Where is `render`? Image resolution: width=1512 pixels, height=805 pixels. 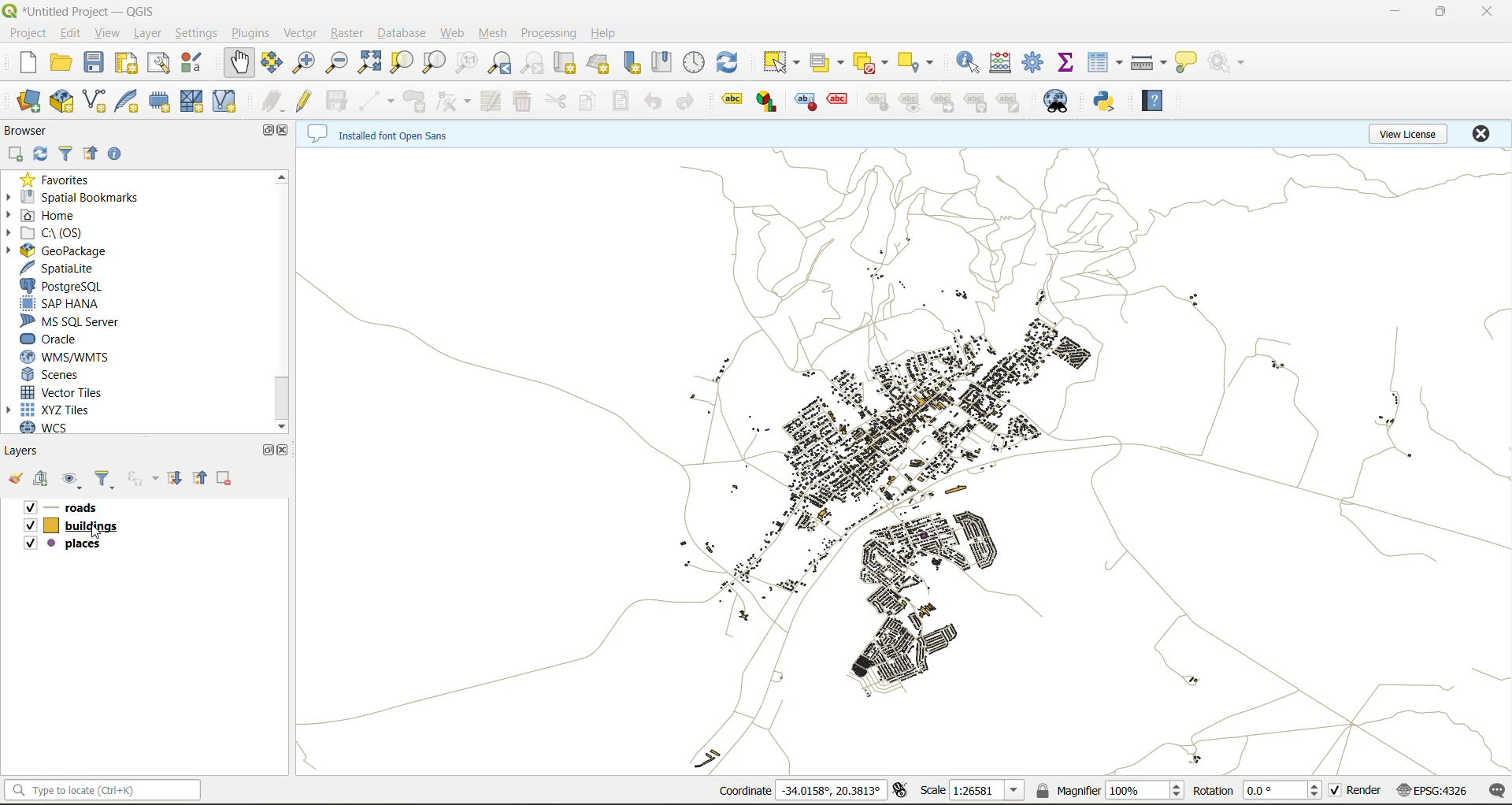 render is located at coordinates (1362, 792).